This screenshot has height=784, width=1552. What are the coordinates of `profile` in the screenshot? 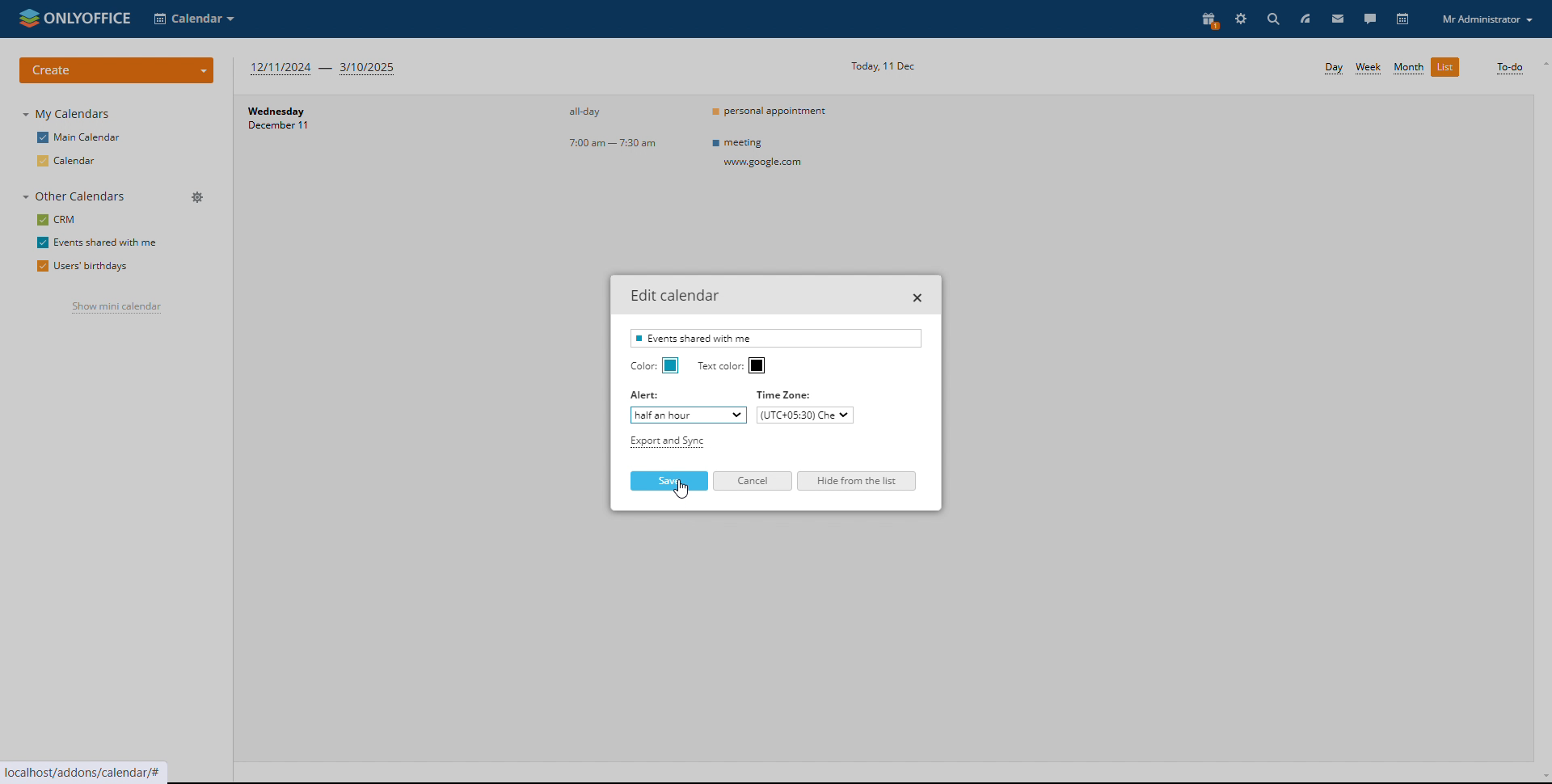 It's located at (1487, 19).